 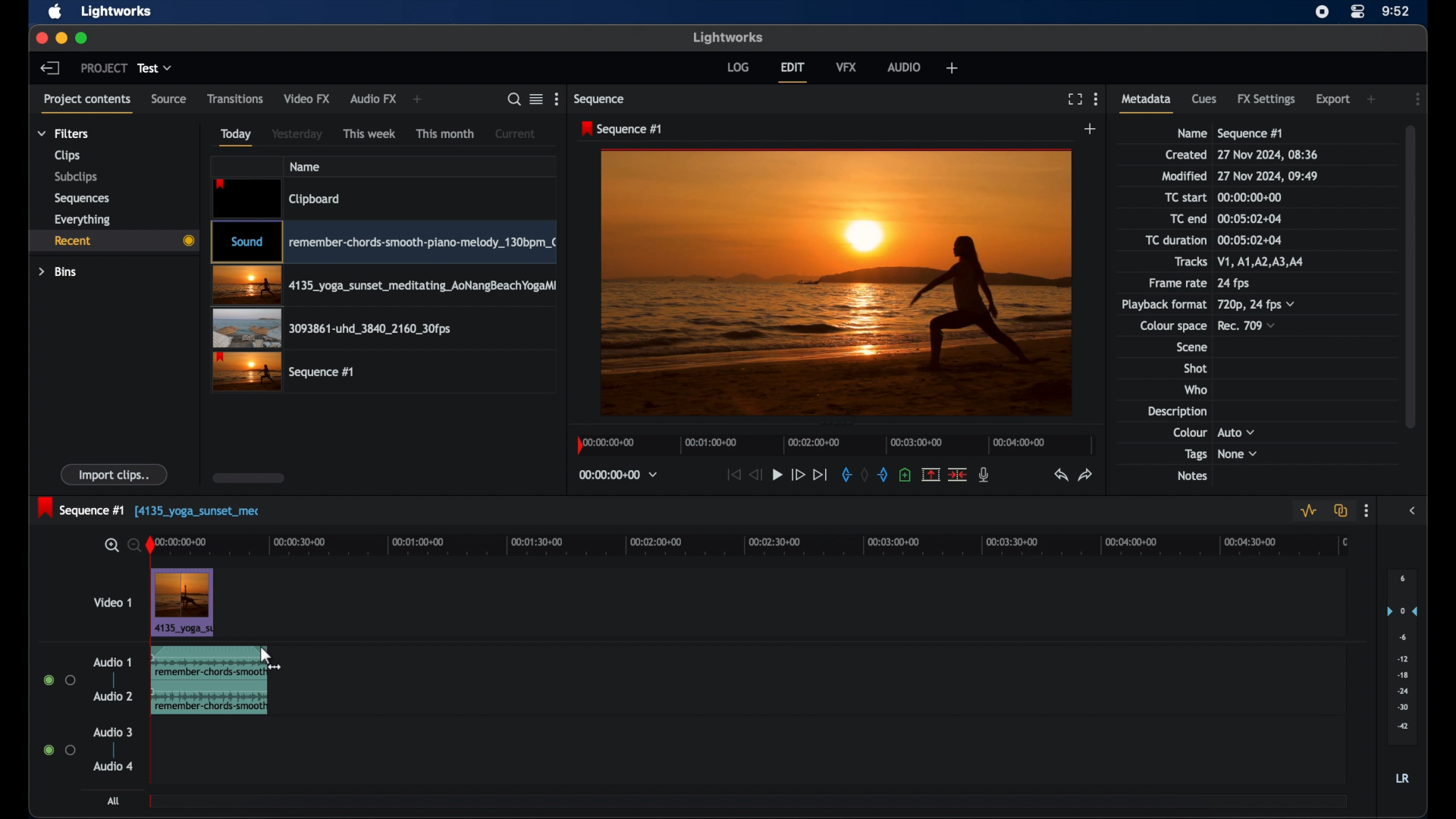 What do you see at coordinates (622, 129) in the screenshot?
I see `sequence 1` at bounding box center [622, 129].